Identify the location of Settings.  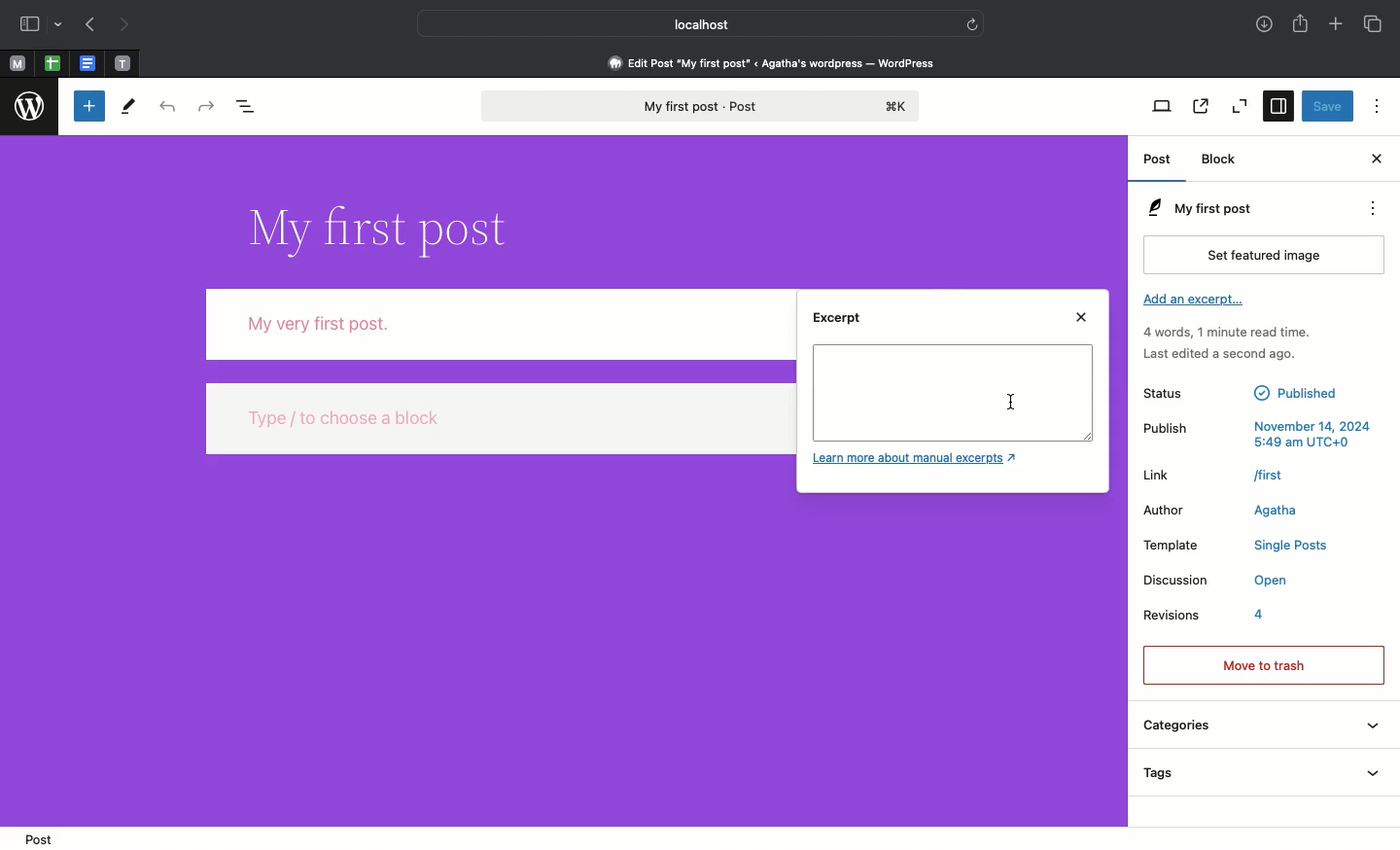
(1280, 107).